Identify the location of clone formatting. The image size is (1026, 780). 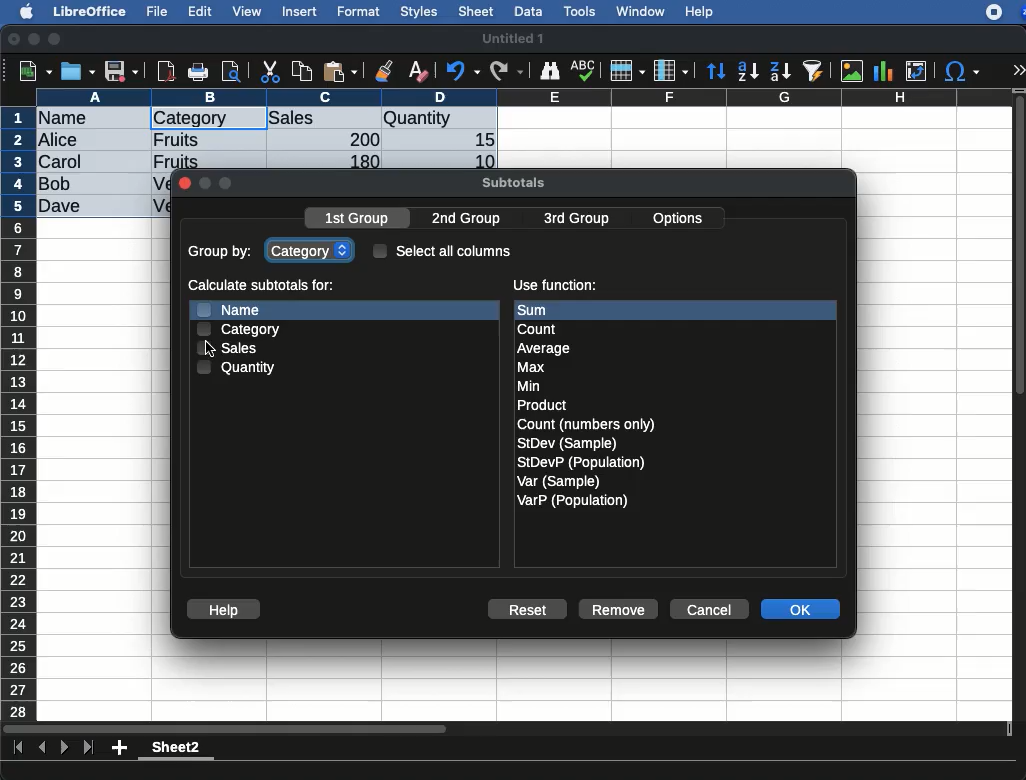
(384, 72).